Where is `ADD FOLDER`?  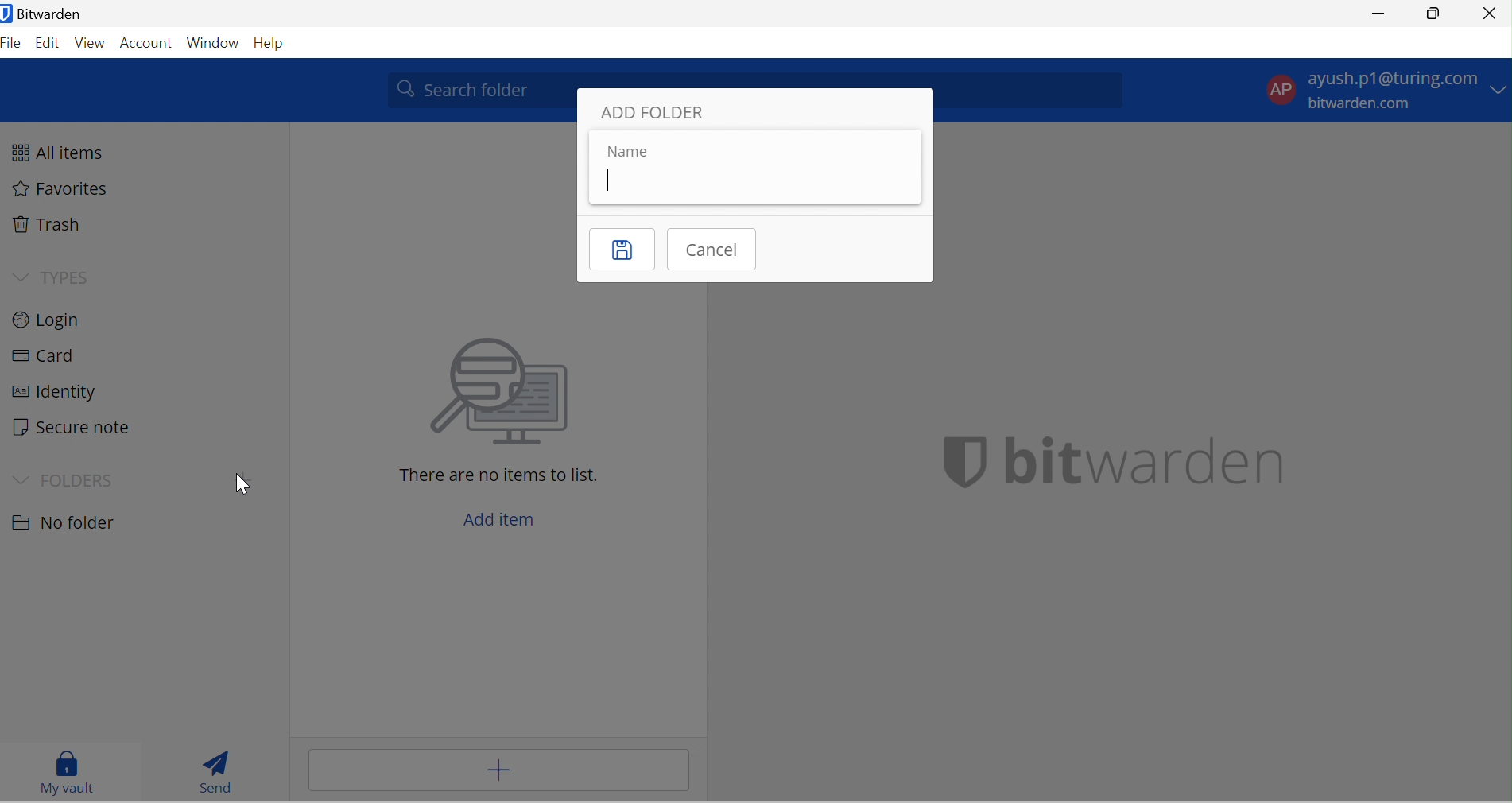 ADD FOLDER is located at coordinates (657, 111).